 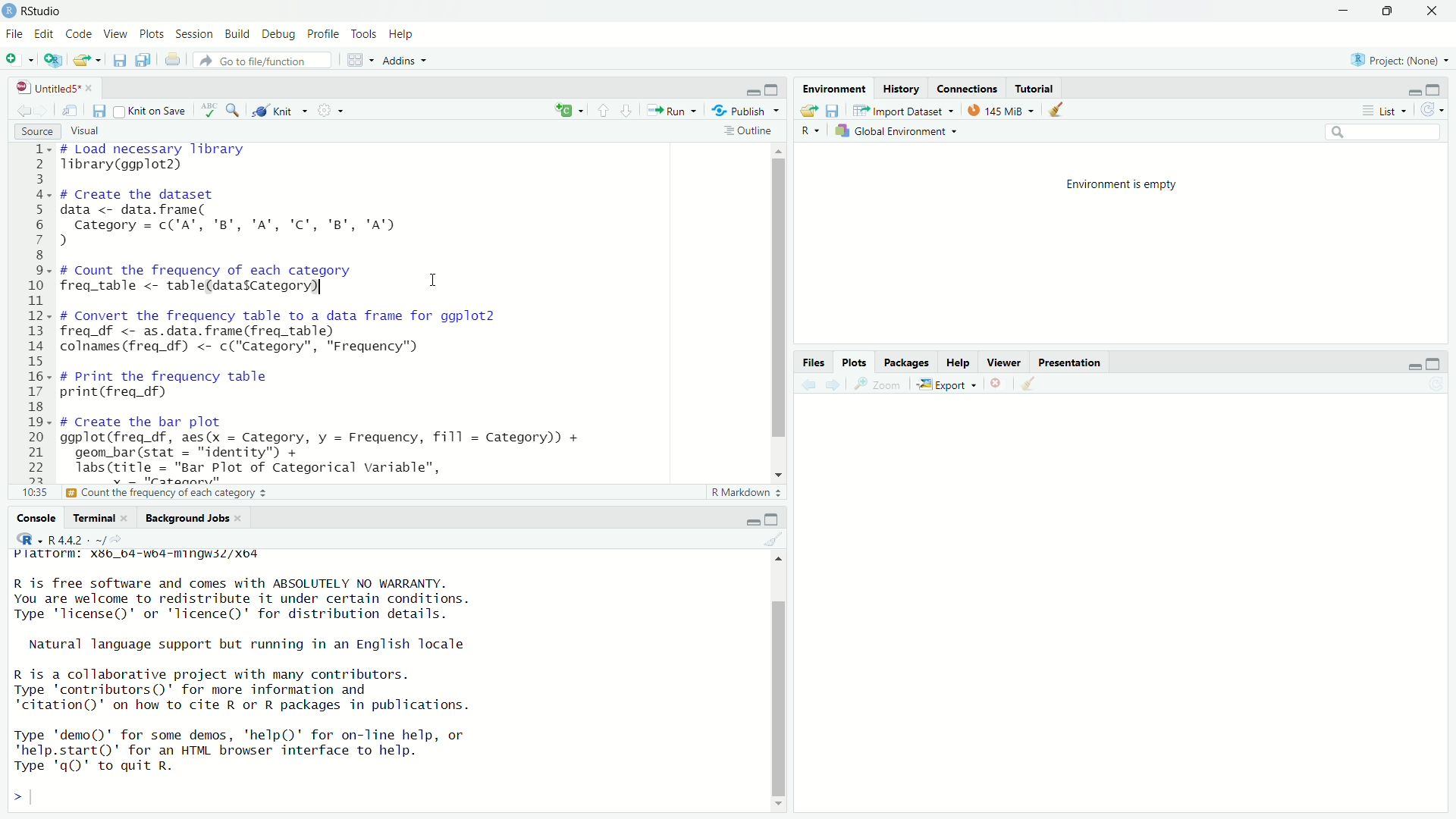 I want to click on maximize, so click(x=1392, y=12).